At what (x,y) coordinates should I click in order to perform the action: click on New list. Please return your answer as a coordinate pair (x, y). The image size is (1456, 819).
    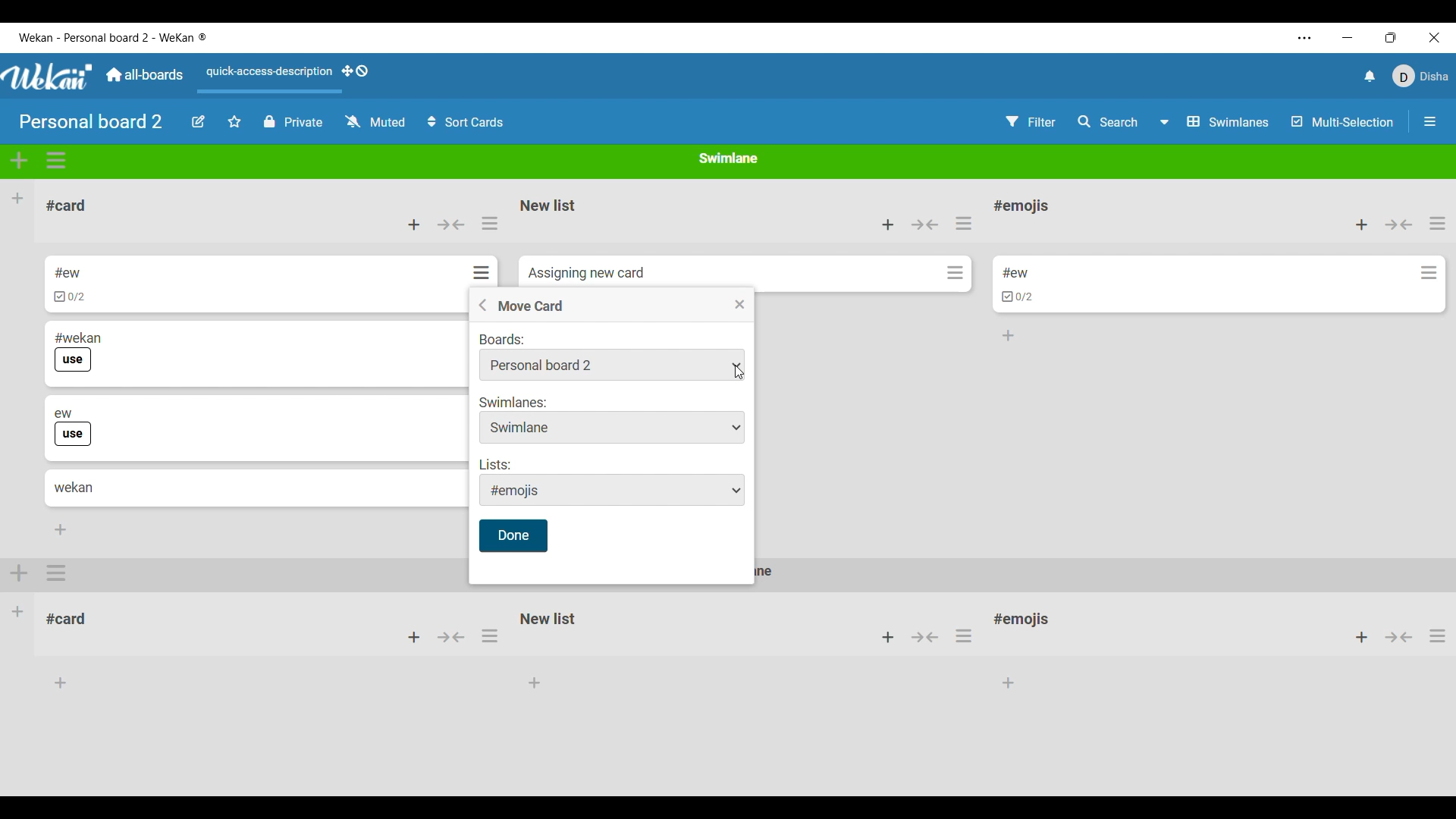
    Looking at the image, I should click on (548, 618).